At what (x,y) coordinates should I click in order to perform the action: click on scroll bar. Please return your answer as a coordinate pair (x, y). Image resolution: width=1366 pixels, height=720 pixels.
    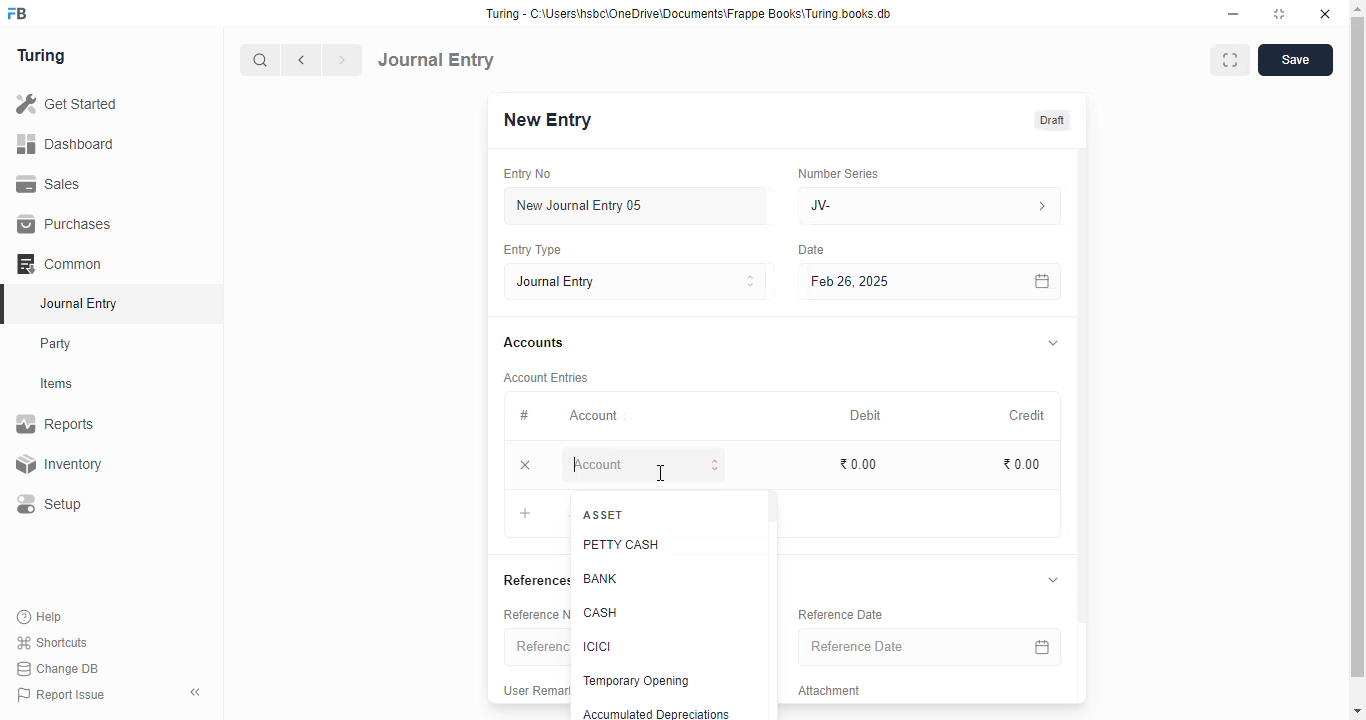
    Looking at the image, I should click on (1359, 358).